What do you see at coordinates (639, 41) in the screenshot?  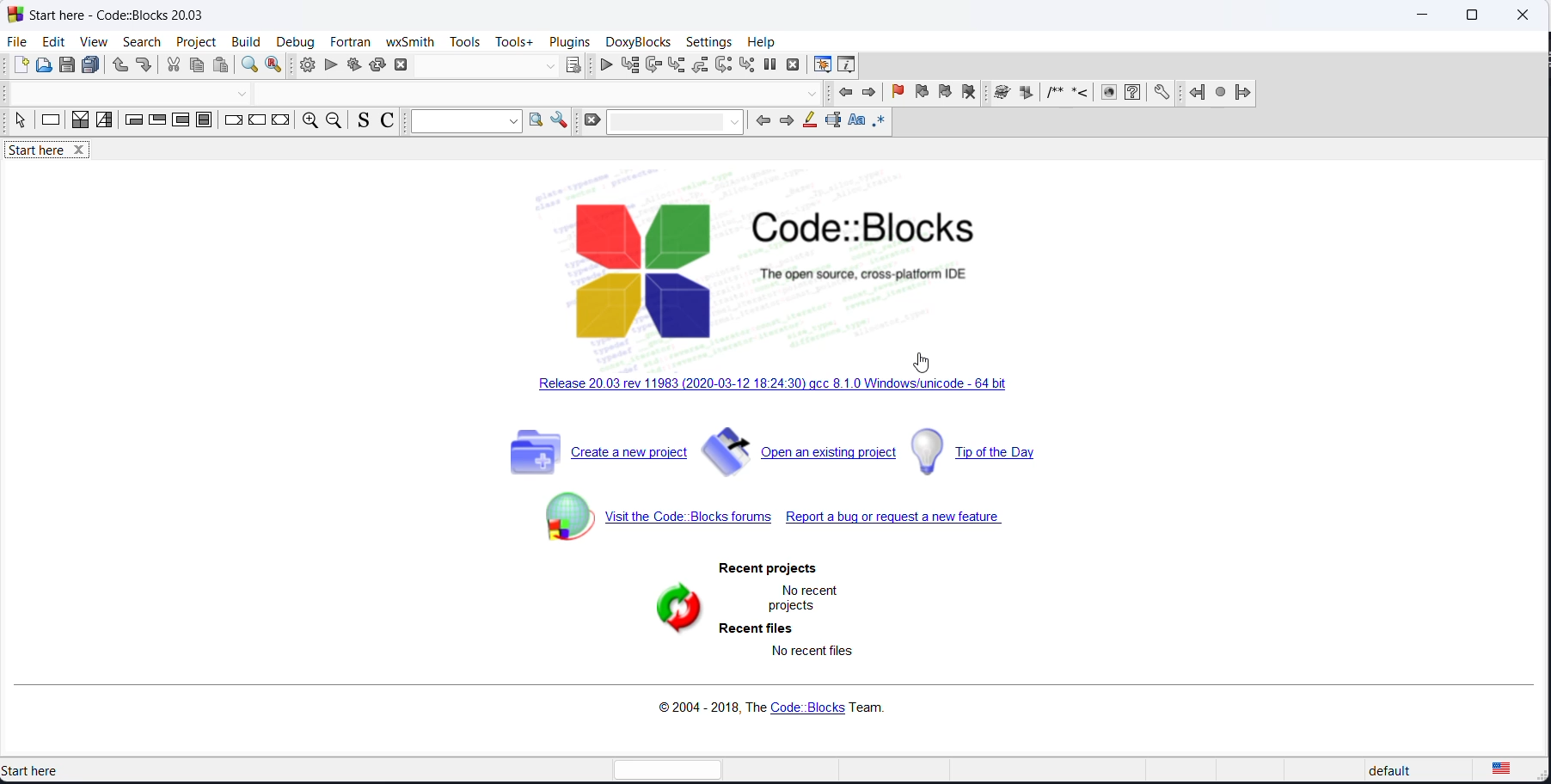 I see `DoxyBlocks` at bounding box center [639, 41].